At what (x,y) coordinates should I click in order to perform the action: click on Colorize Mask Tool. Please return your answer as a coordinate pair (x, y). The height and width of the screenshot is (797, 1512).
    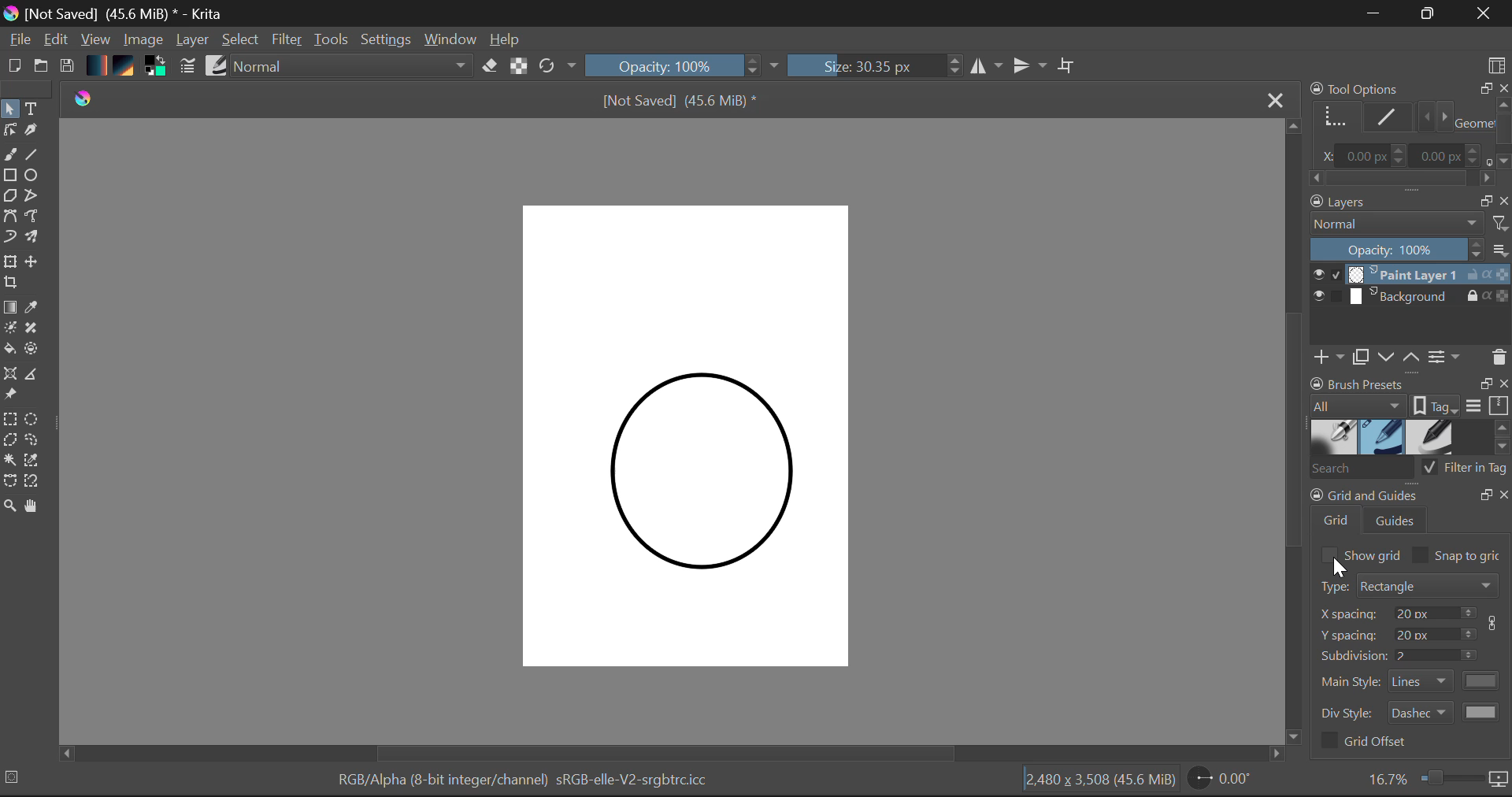
    Looking at the image, I should click on (10, 328).